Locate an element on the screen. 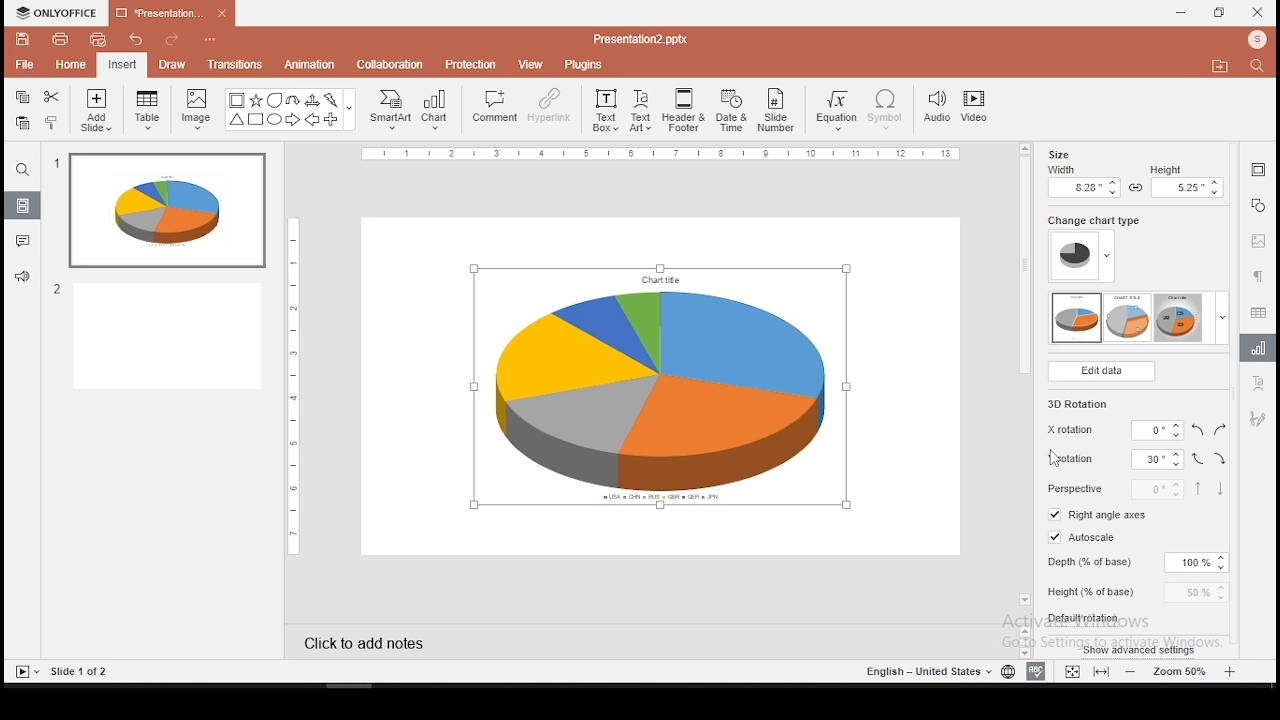 This screenshot has height=720, width=1280. style 2 is located at coordinates (1129, 318).